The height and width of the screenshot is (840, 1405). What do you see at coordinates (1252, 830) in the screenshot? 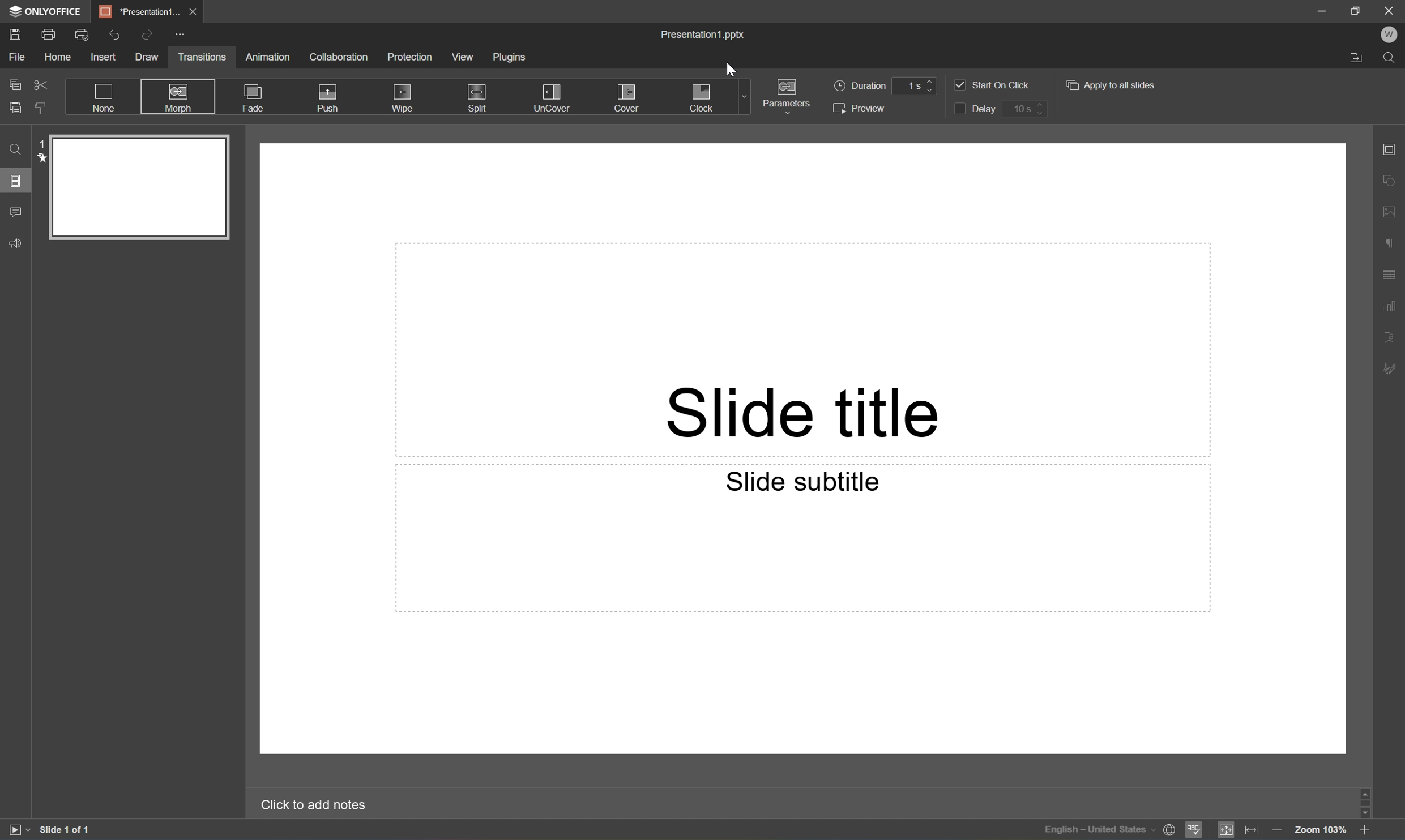
I see `Fit to width` at bounding box center [1252, 830].